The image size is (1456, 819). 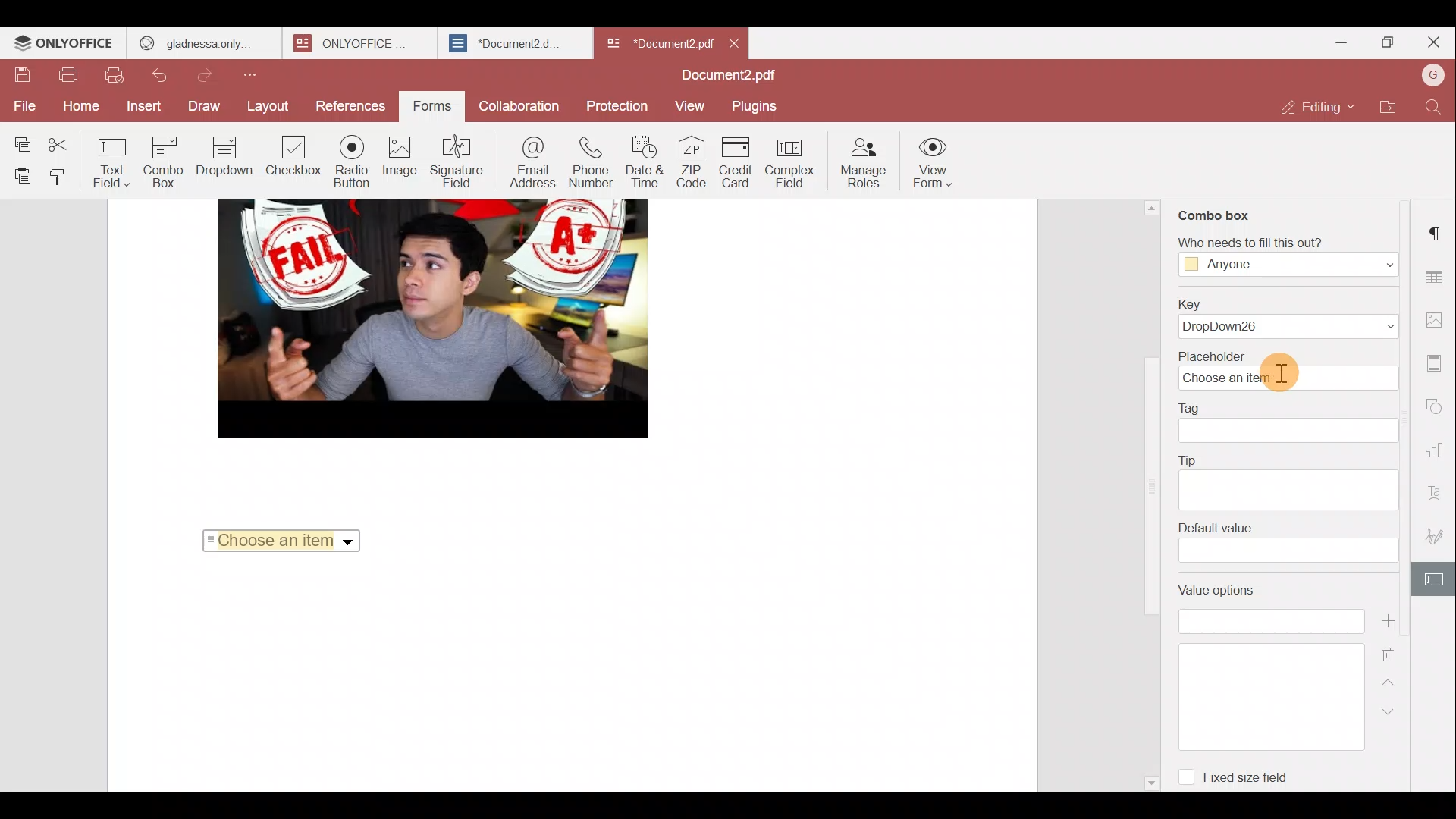 I want to click on Copy, so click(x=22, y=141).